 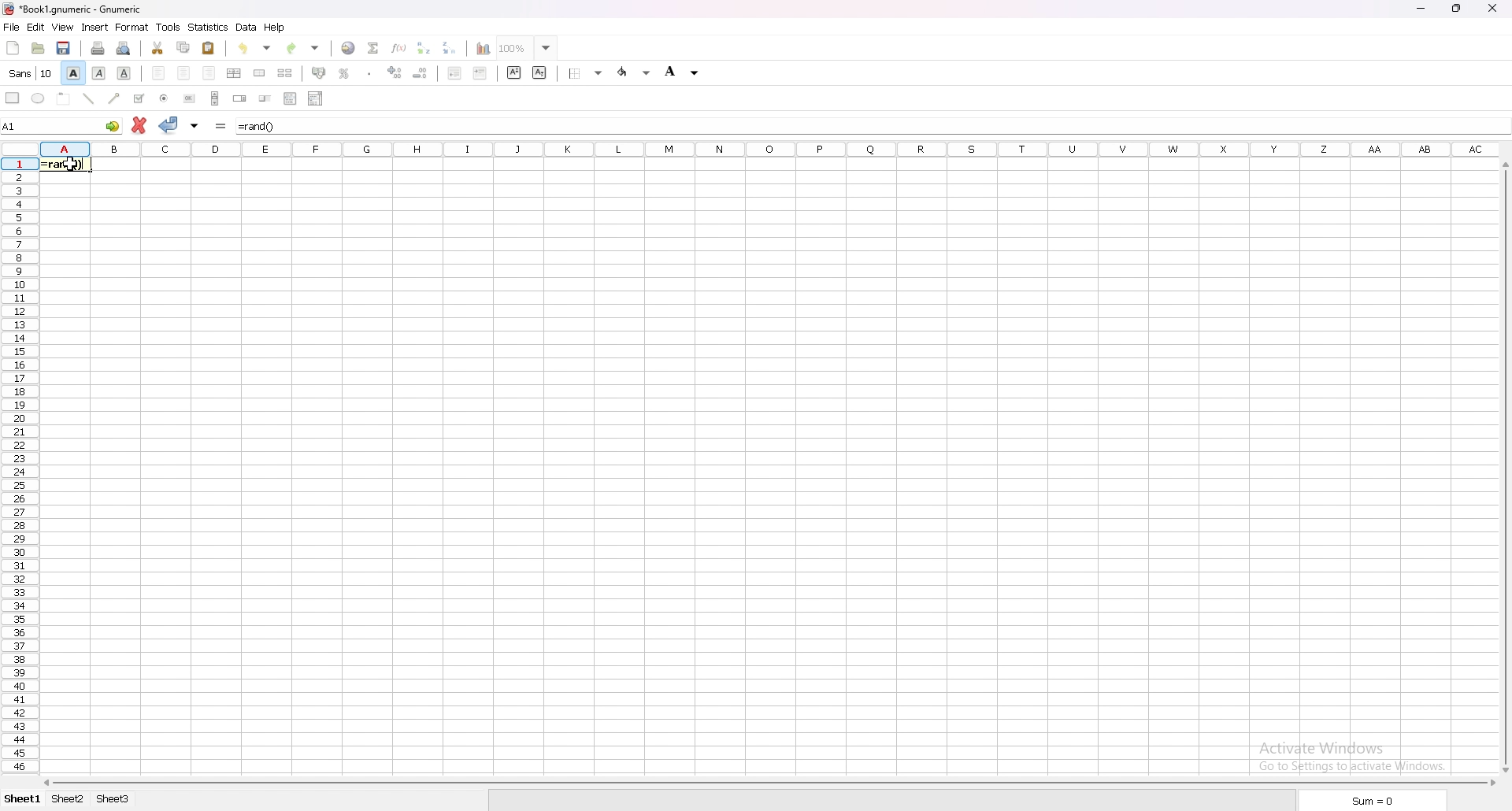 I want to click on scroll bar, so click(x=214, y=98).